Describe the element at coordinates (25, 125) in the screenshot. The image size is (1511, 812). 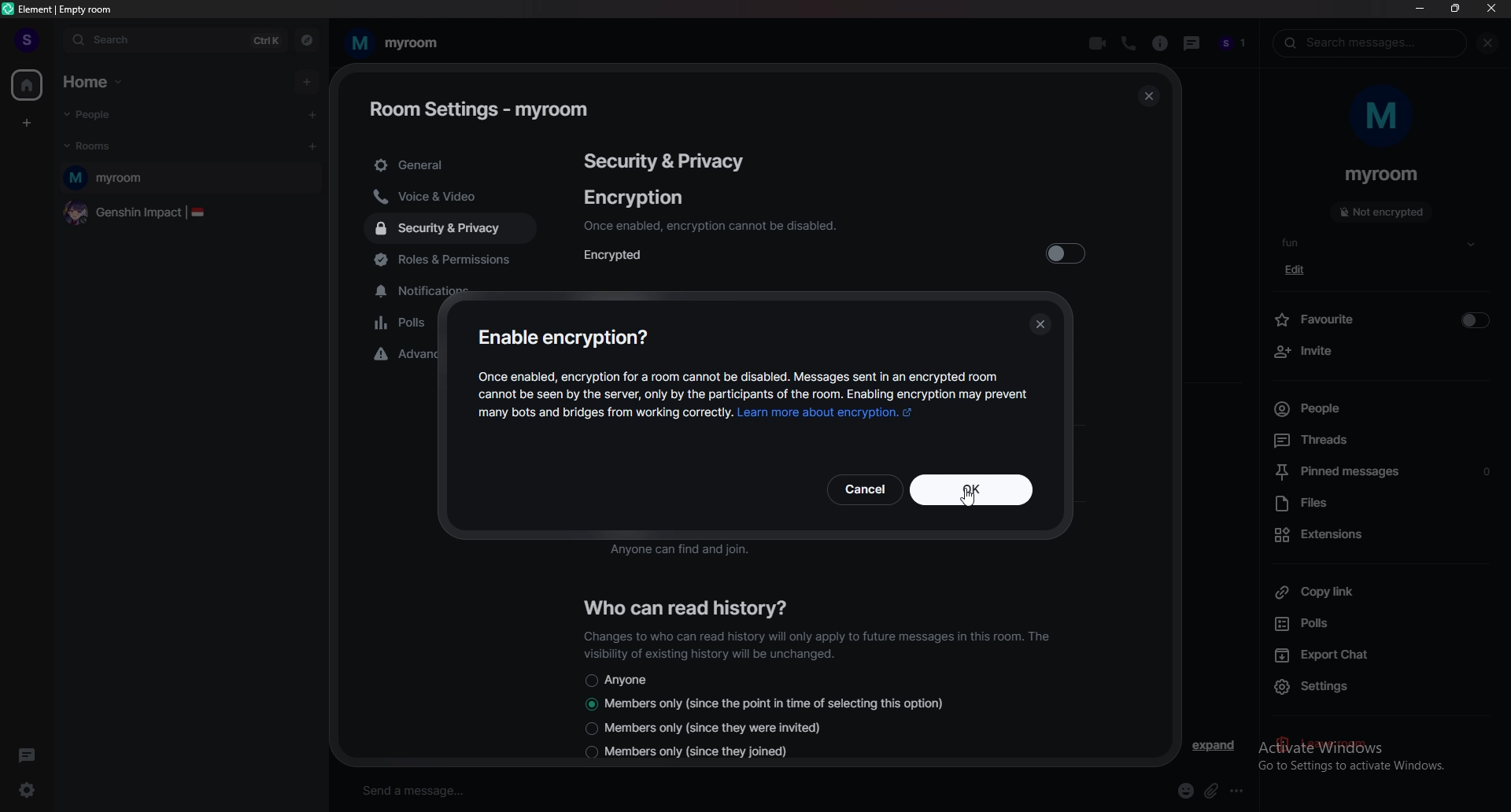
I see `create a space` at that location.